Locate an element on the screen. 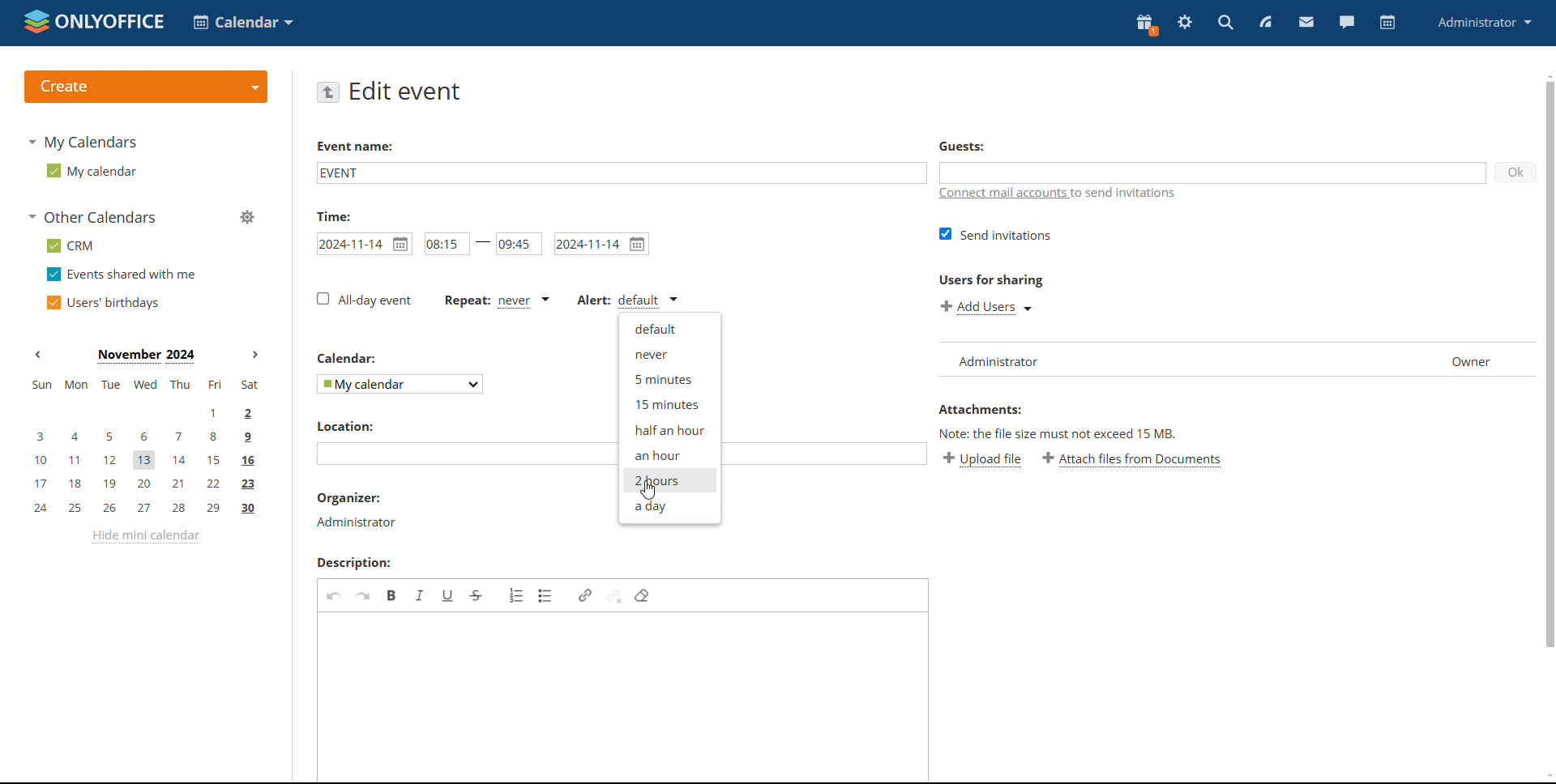 The image size is (1556, 784). scrollbar is located at coordinates (1549, 364).